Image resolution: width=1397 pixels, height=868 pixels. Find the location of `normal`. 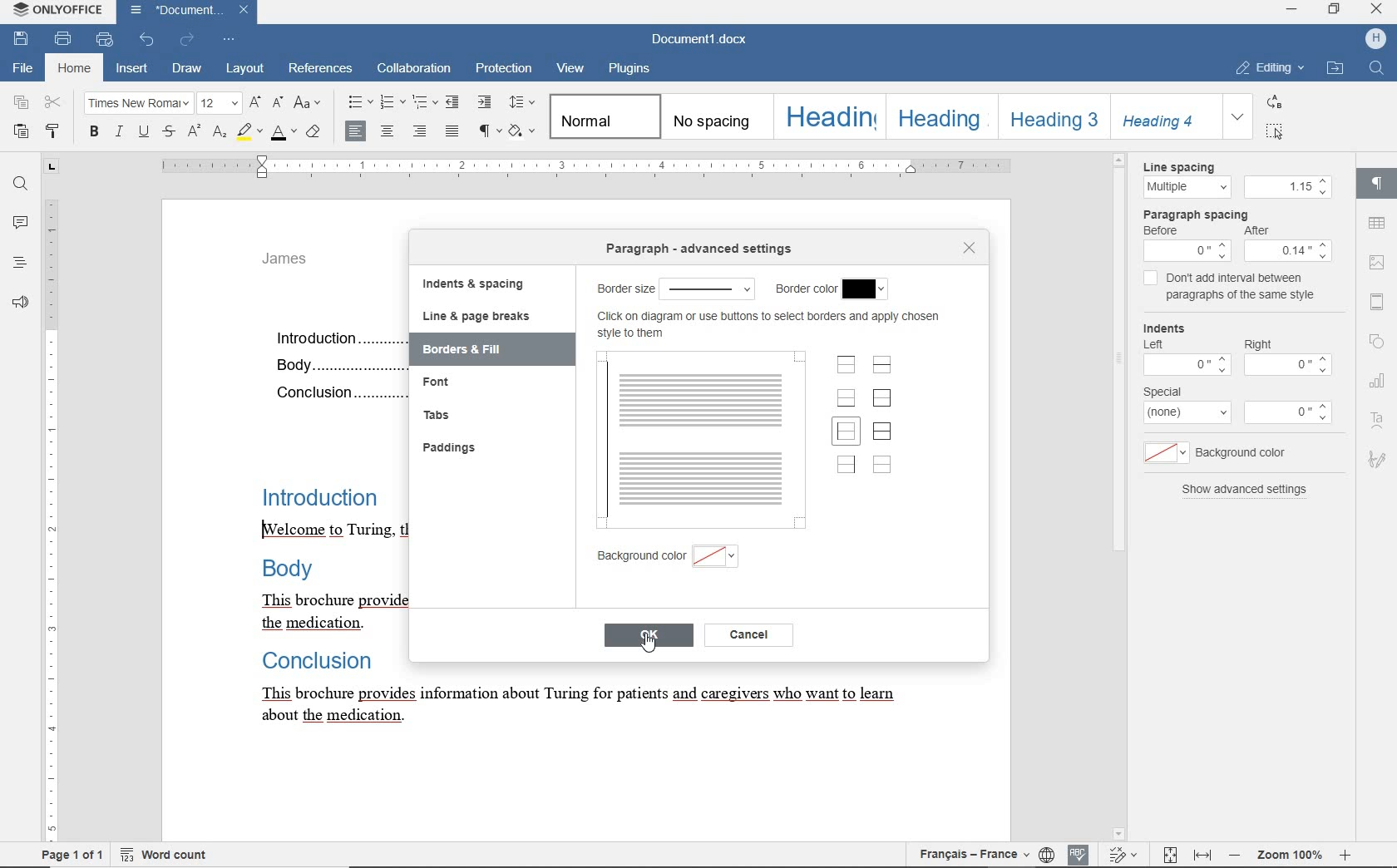

normal is located at coordinates (604, 116).